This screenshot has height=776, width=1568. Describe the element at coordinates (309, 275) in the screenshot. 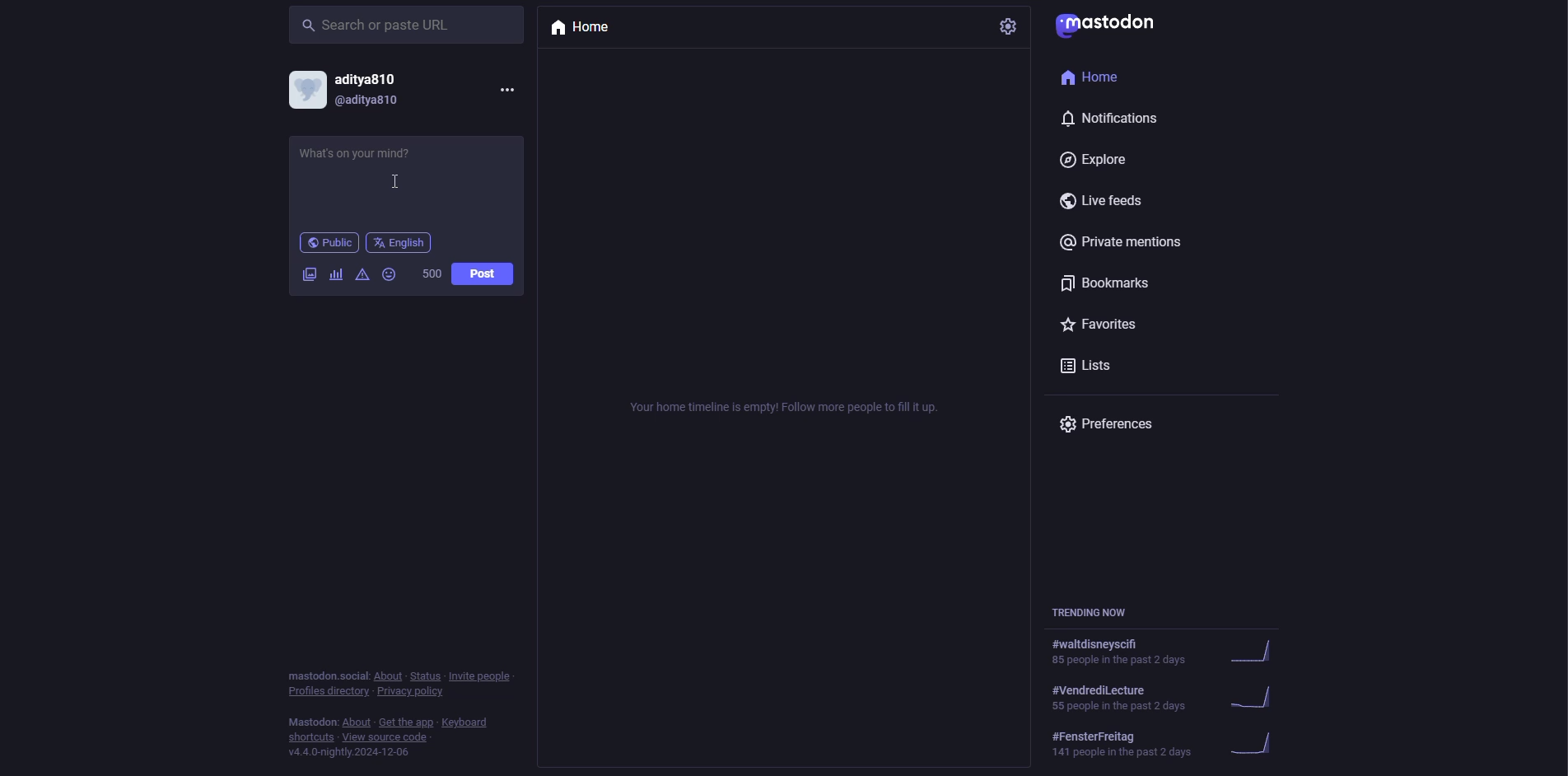

I see `image` at that location.